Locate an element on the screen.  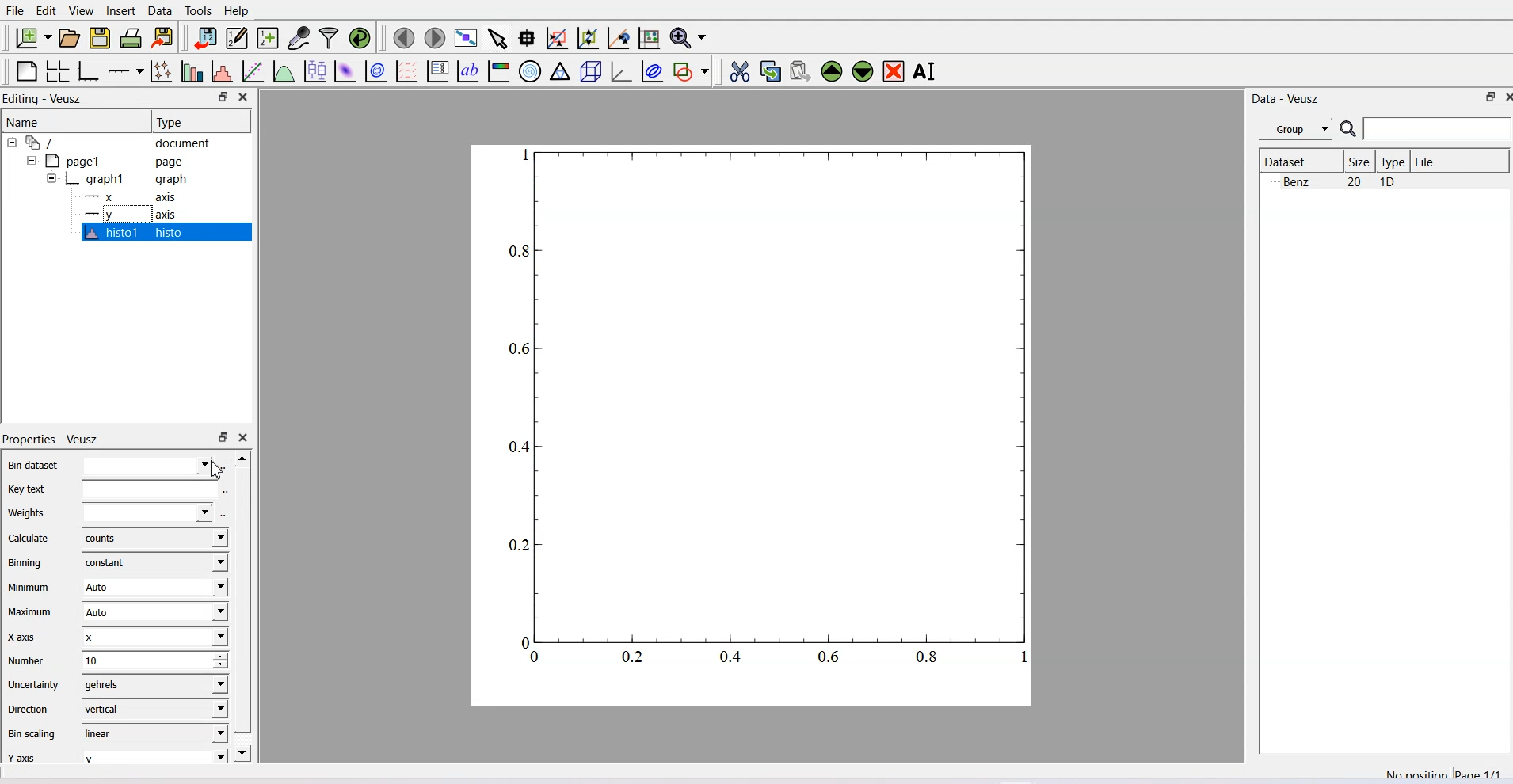
Fit function to data is located at coordinates (253, 70).